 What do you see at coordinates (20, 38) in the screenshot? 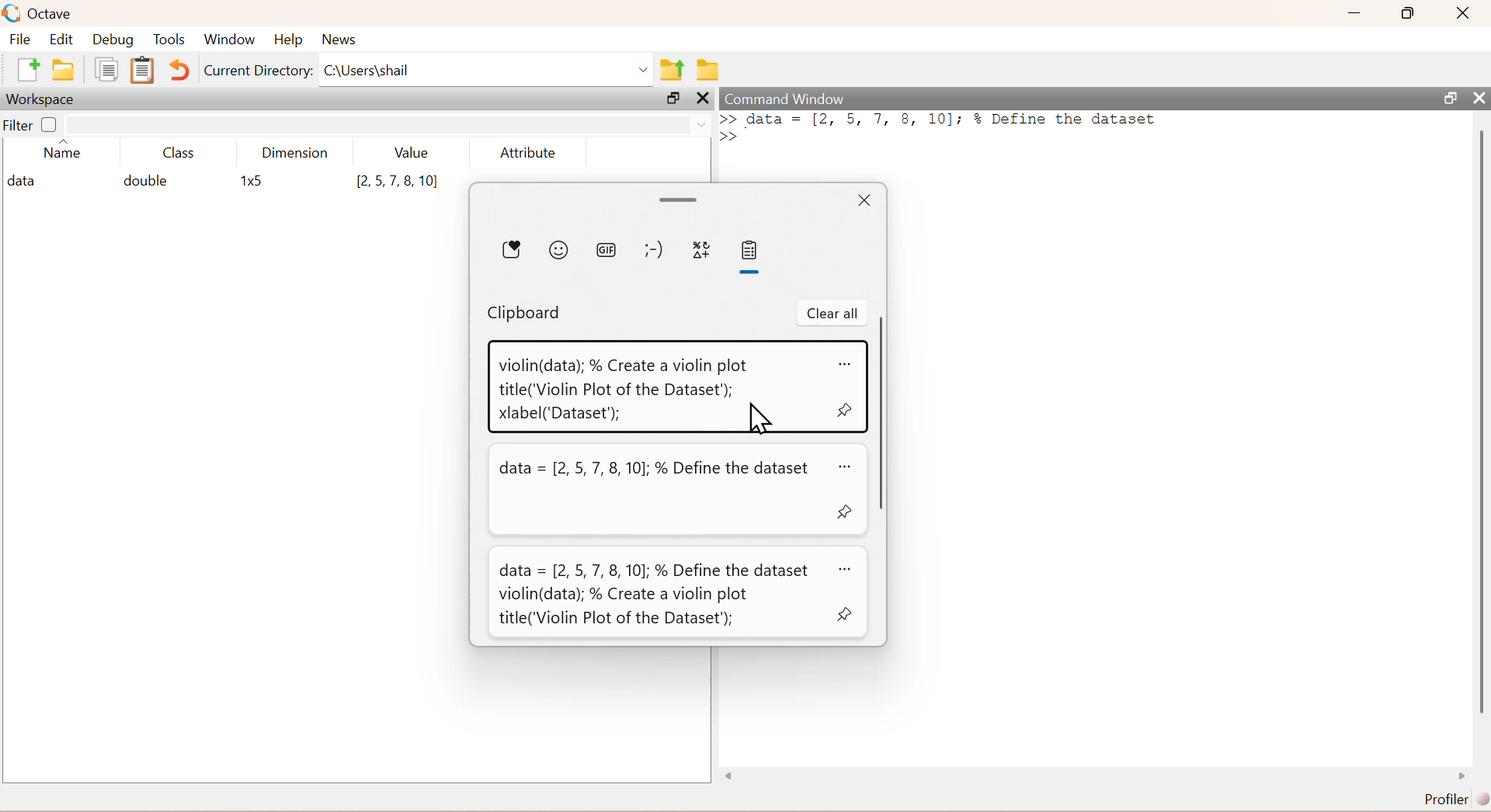
I see `file` at bounding box center [20, 38].